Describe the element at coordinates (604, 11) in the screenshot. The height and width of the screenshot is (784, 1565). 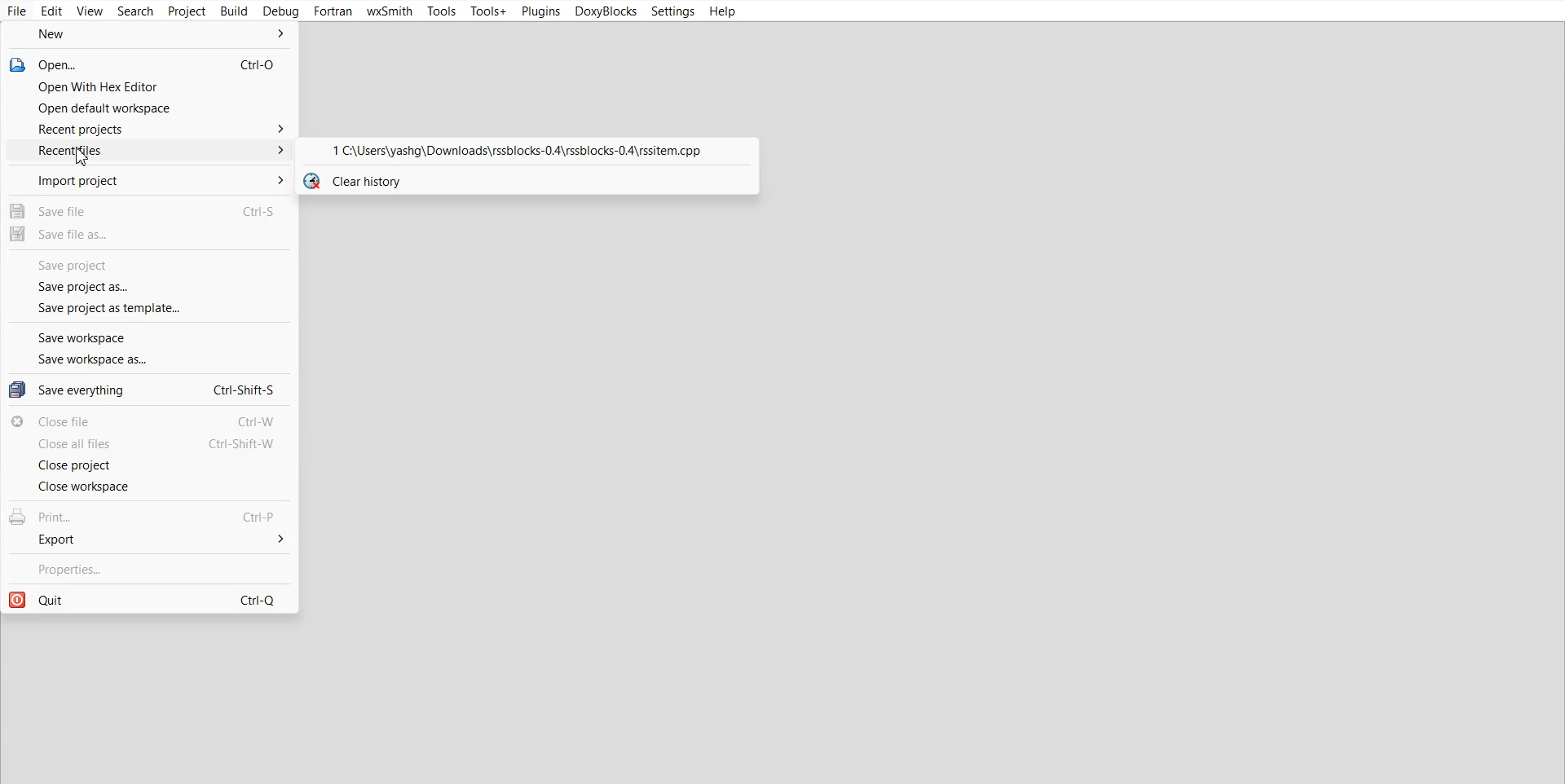
I see `DoxyBlocks` at that location.